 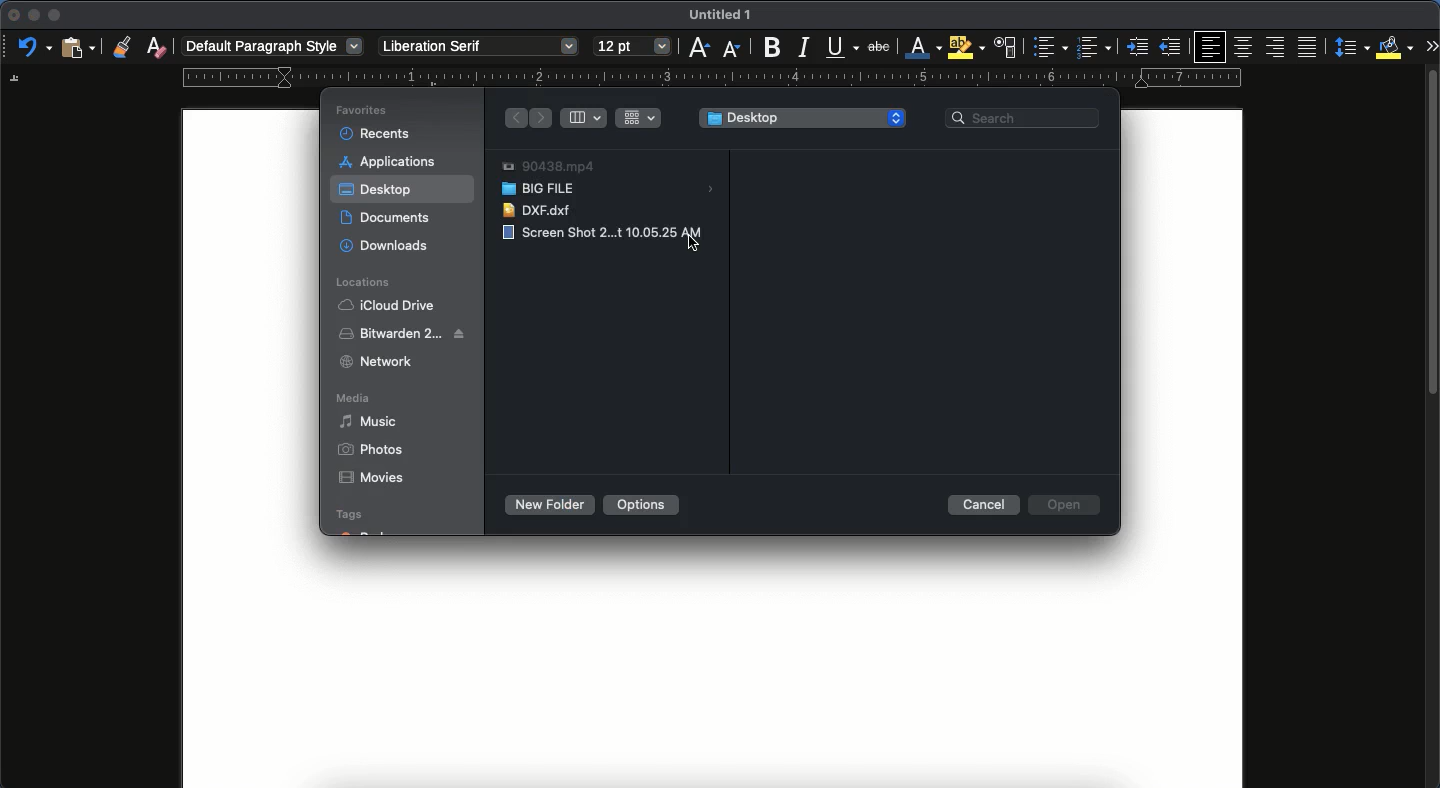 I want to click on fill color , so click(x=1395, y=46).